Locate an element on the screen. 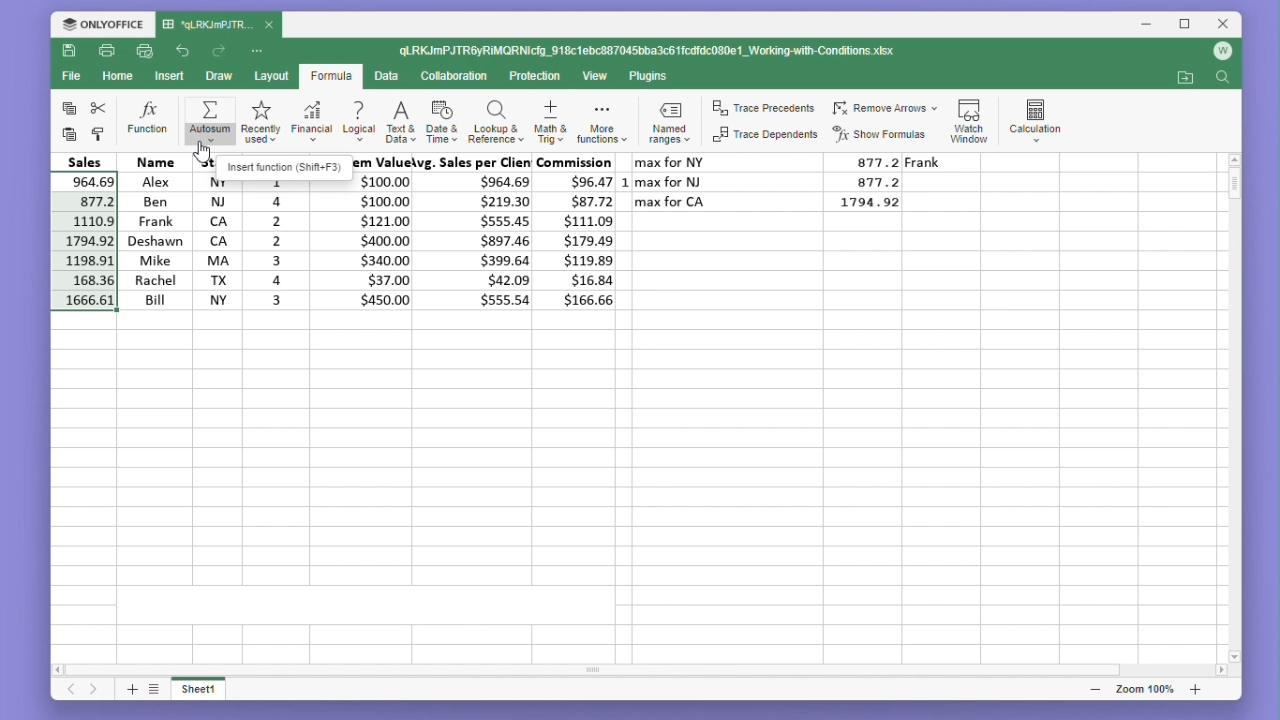  scroll up is located at coordinates (1234, 159).